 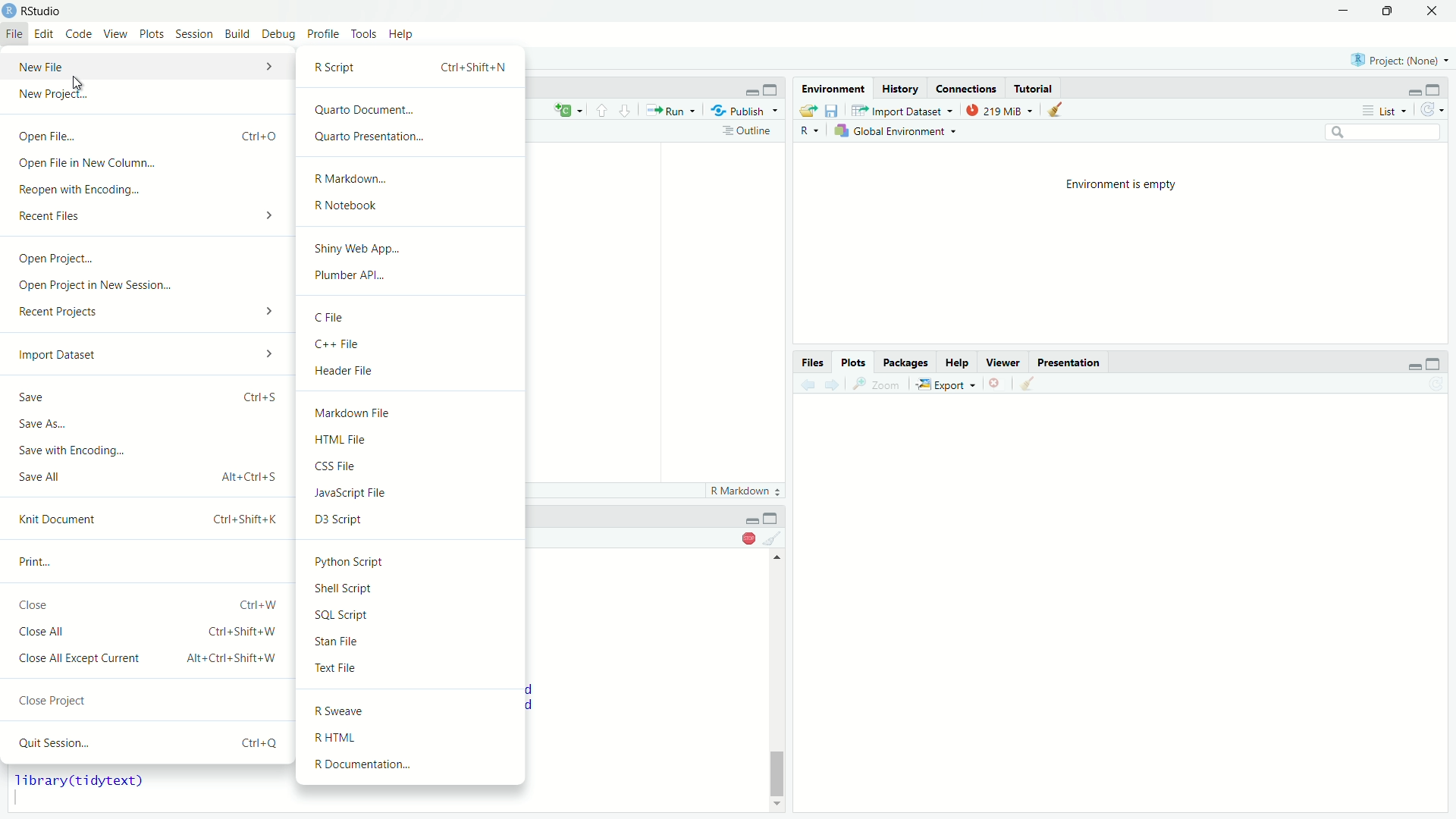 What do you see at coordinates (146, 285) in the screenshot?
I see `Open Project in New Session...` at bounding box center [146, 285].